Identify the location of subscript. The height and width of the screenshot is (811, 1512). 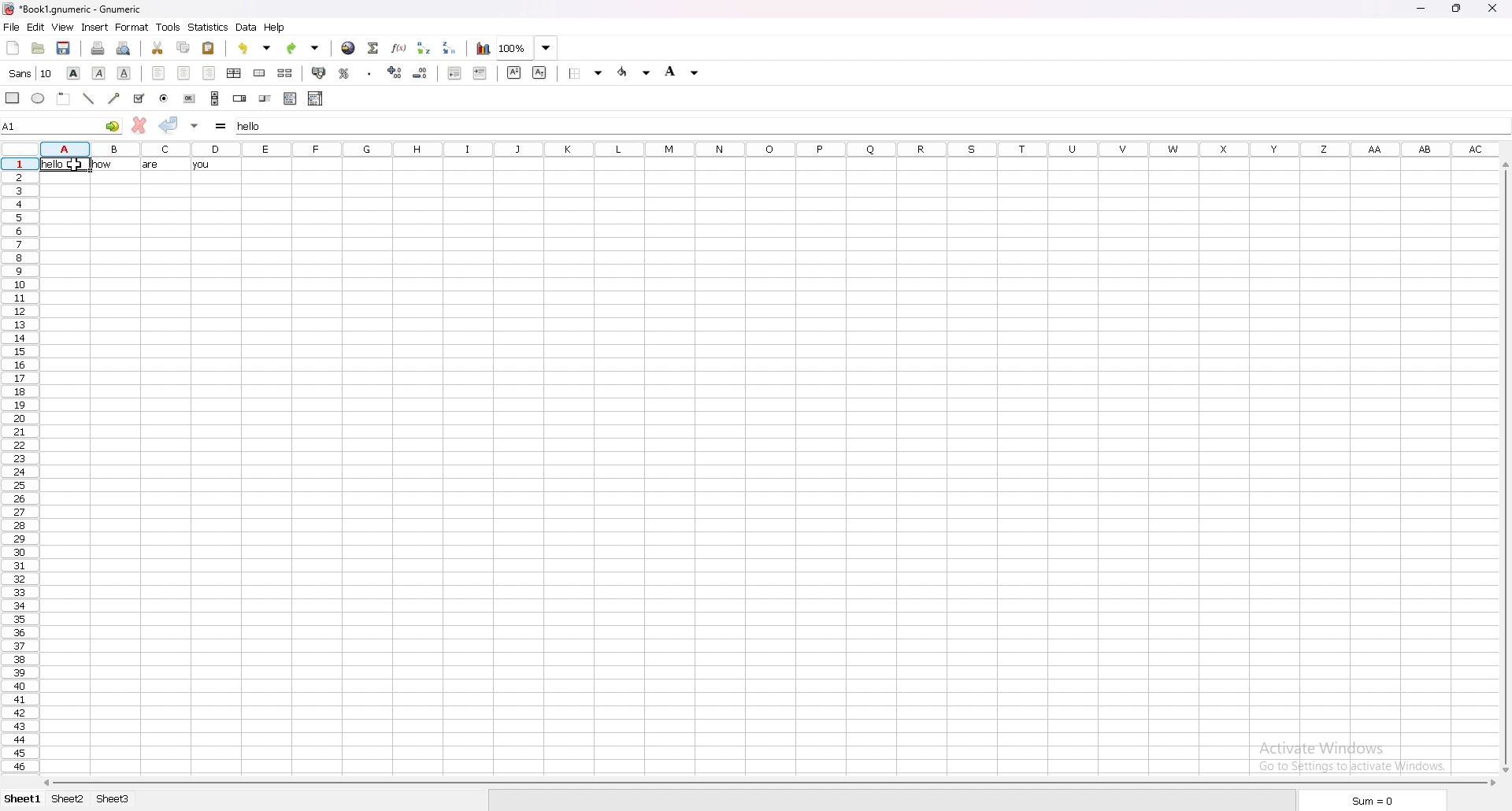
(539, 72).